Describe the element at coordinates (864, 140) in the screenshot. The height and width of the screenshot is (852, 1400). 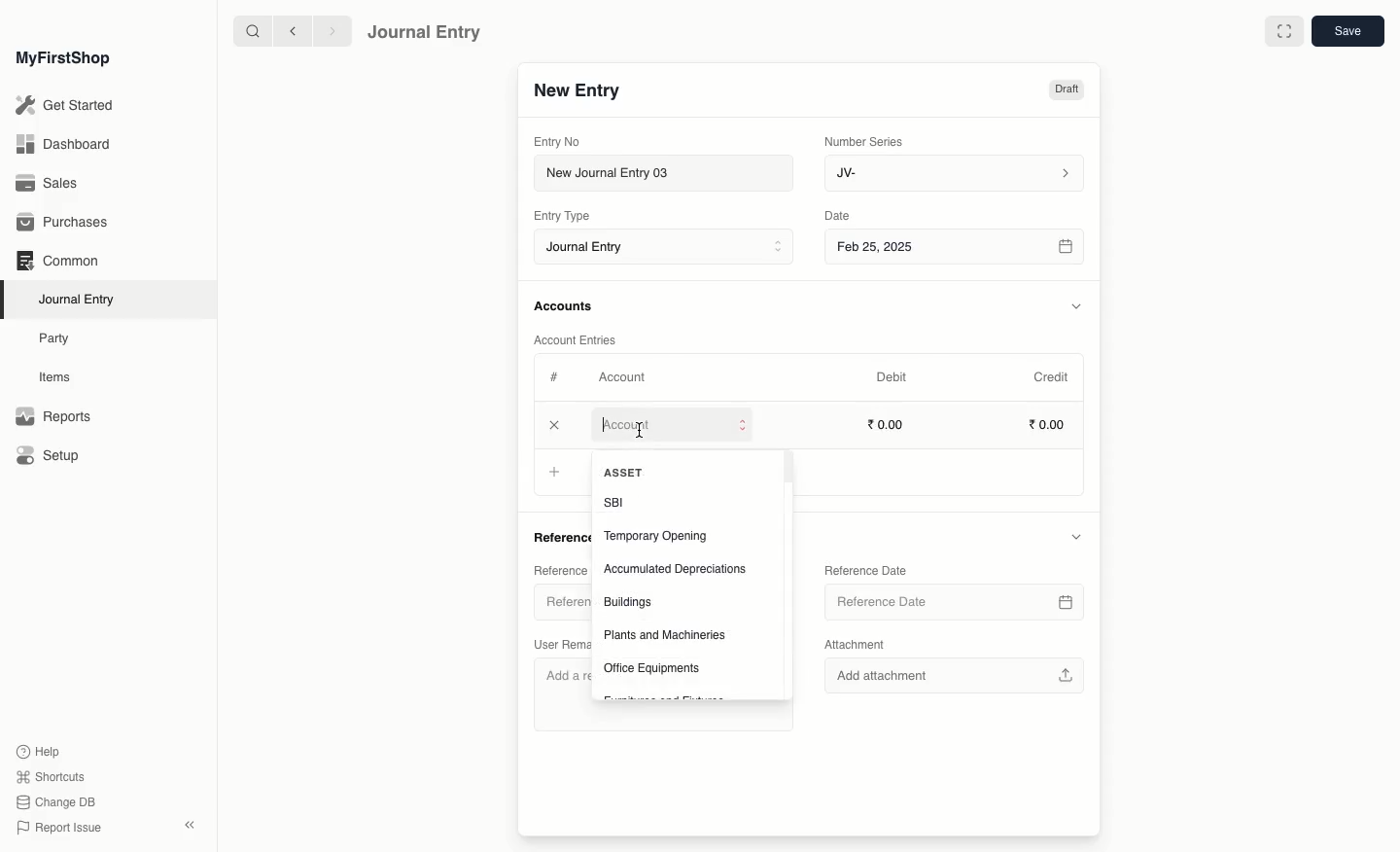
I see `‘Number Series` at that location.